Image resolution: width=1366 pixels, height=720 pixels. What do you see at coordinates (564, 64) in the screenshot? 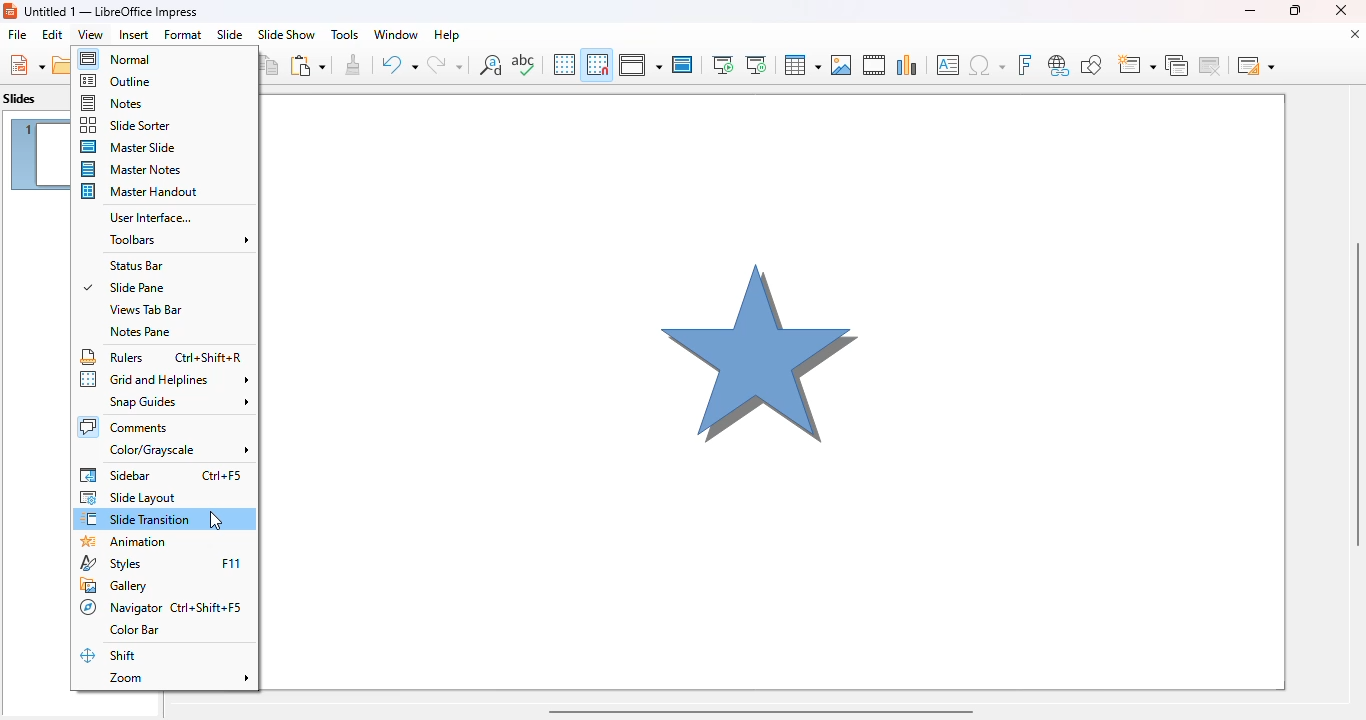
I see `display grid` at bounding box center [564, 64].